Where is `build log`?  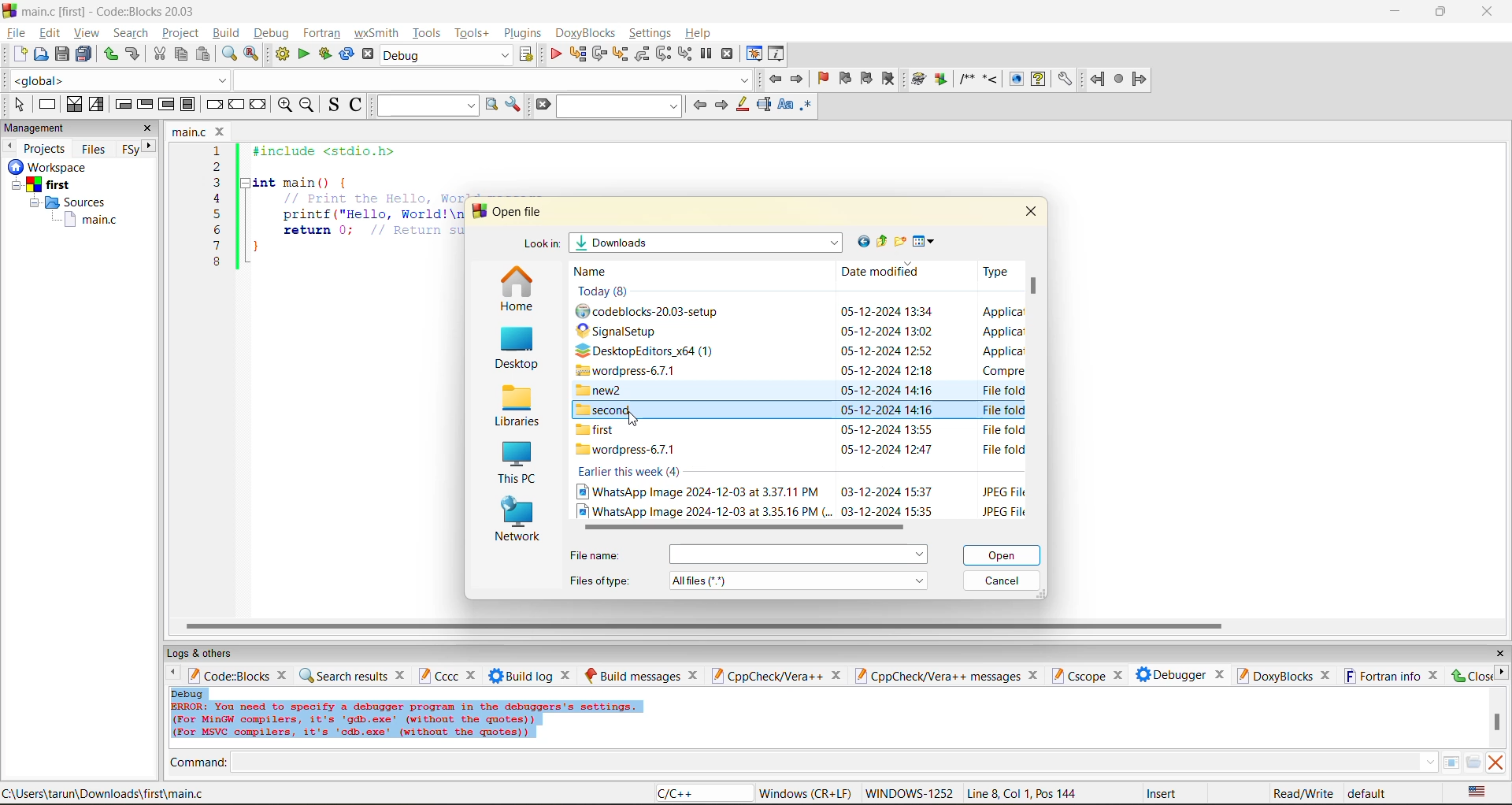
build log is located at coordinates (521, 676).